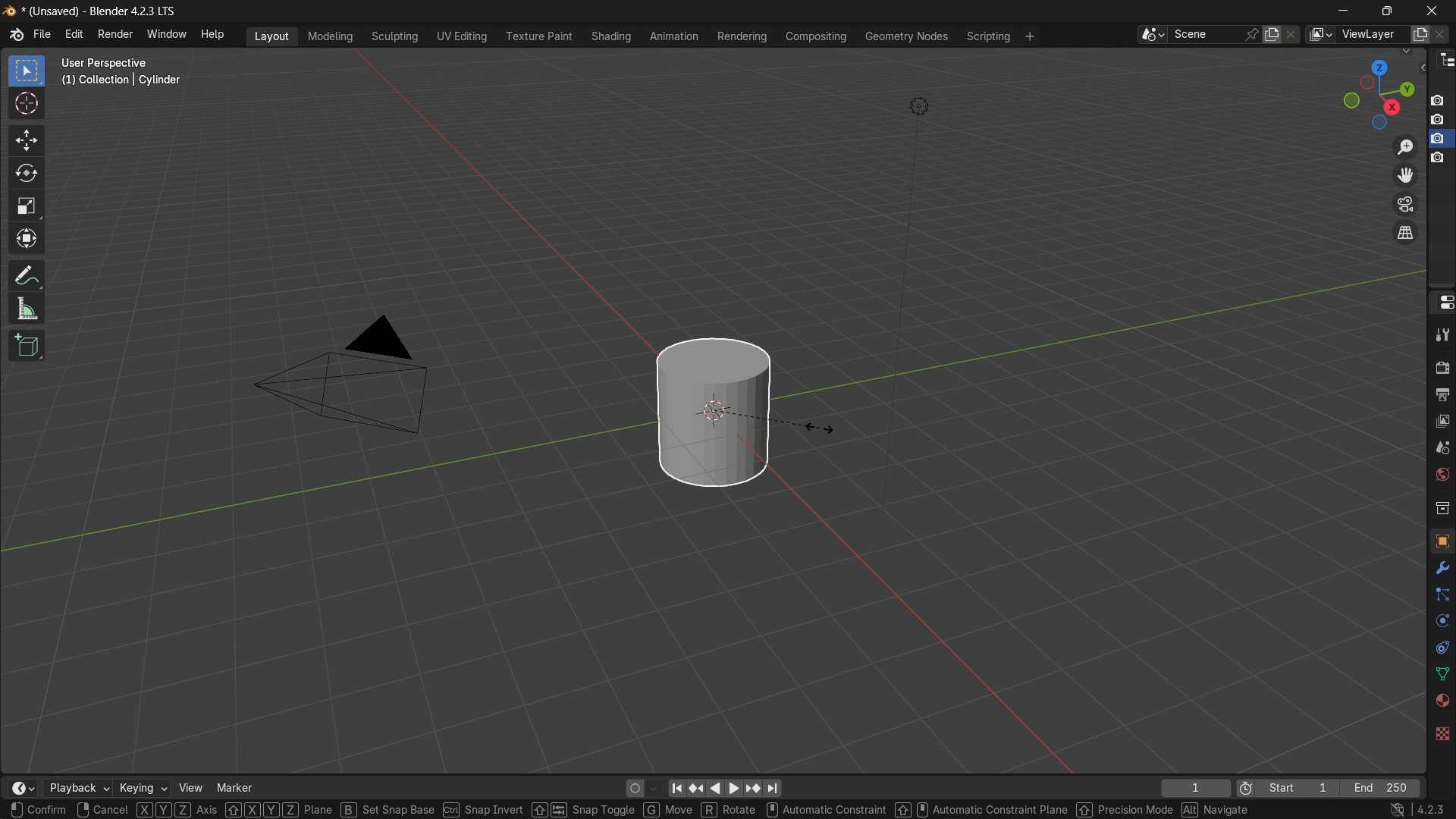 The height and width of the screenshot is (819, 1456). What do you see at coordinates (1294, 36) in the screenshot?
I see `delete scene` at bounding box center [1294, 36].